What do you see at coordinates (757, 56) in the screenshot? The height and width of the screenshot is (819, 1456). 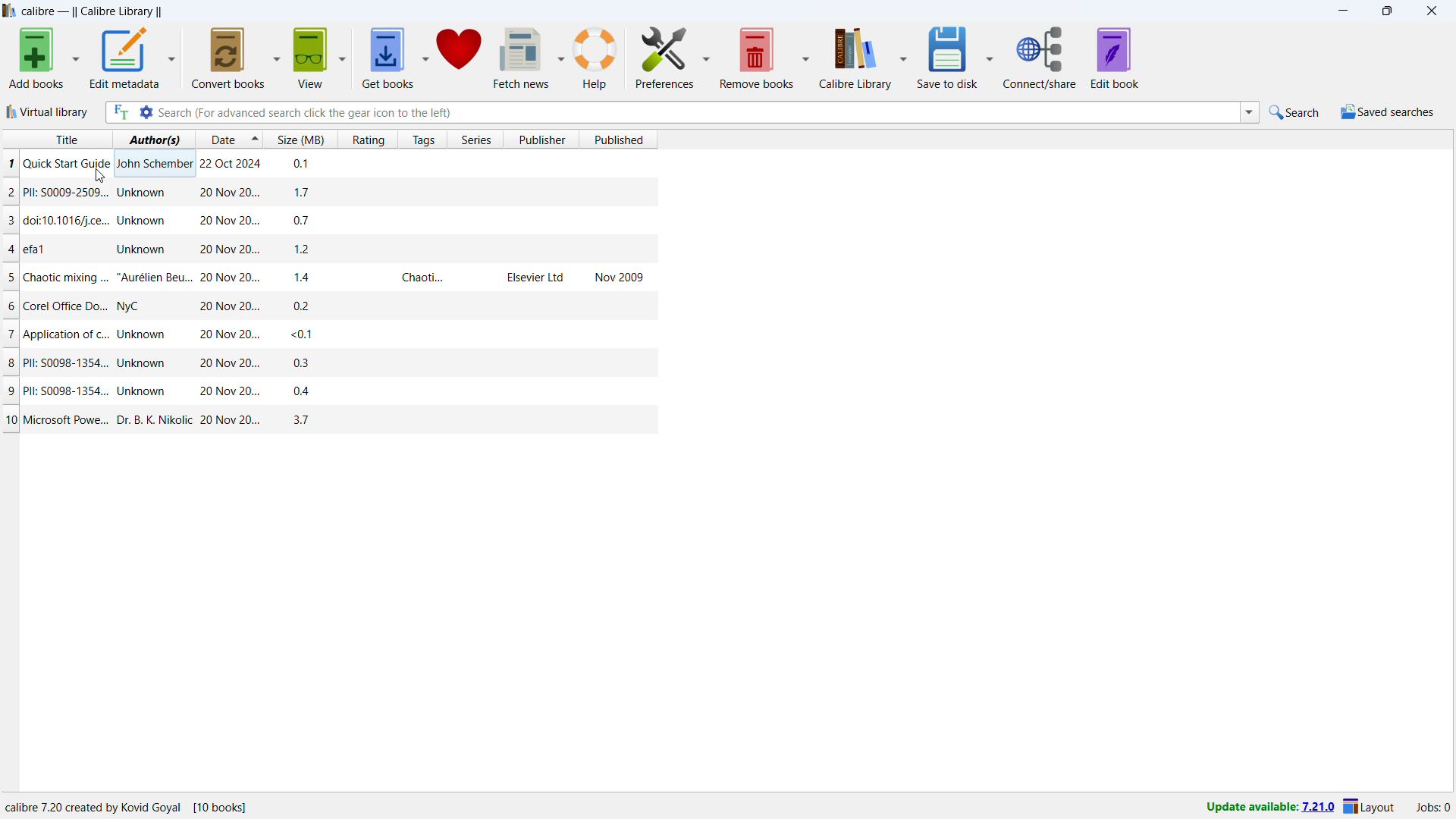 I see `remove books` at bounding box center [757, 56].